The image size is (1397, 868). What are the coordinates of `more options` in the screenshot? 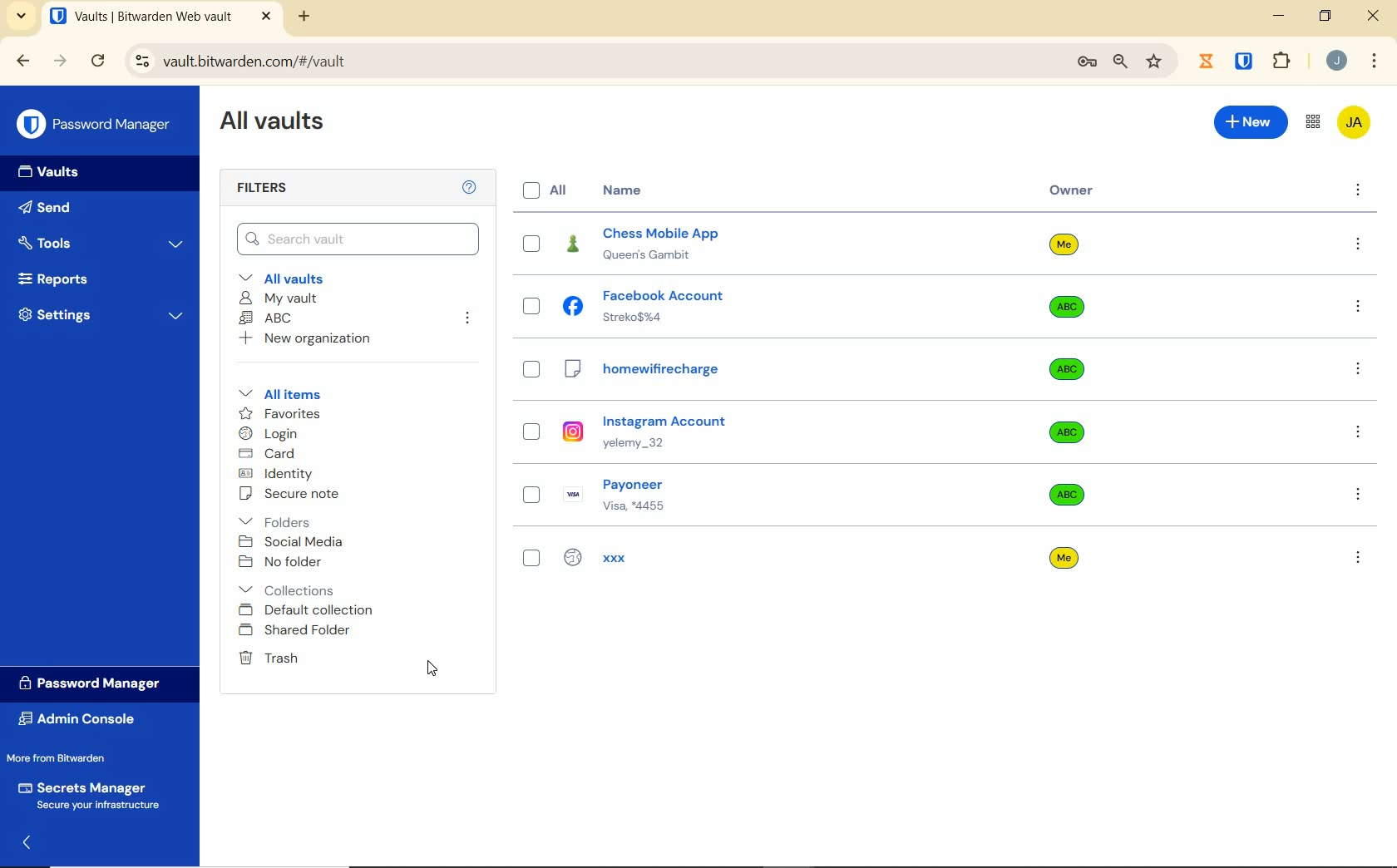 It's located at (1361, 557).